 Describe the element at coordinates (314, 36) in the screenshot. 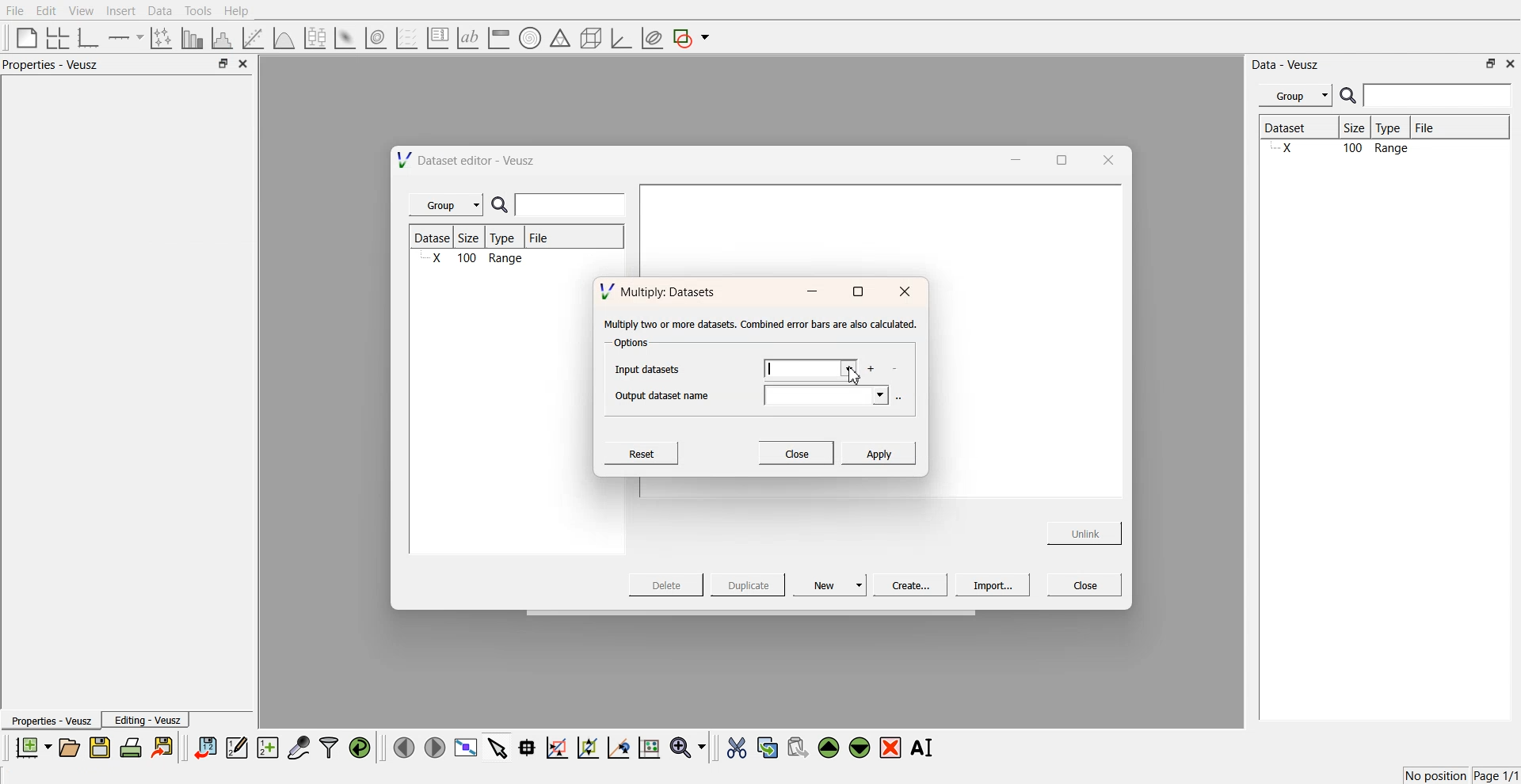

I see `plot a boxplot` at that location.